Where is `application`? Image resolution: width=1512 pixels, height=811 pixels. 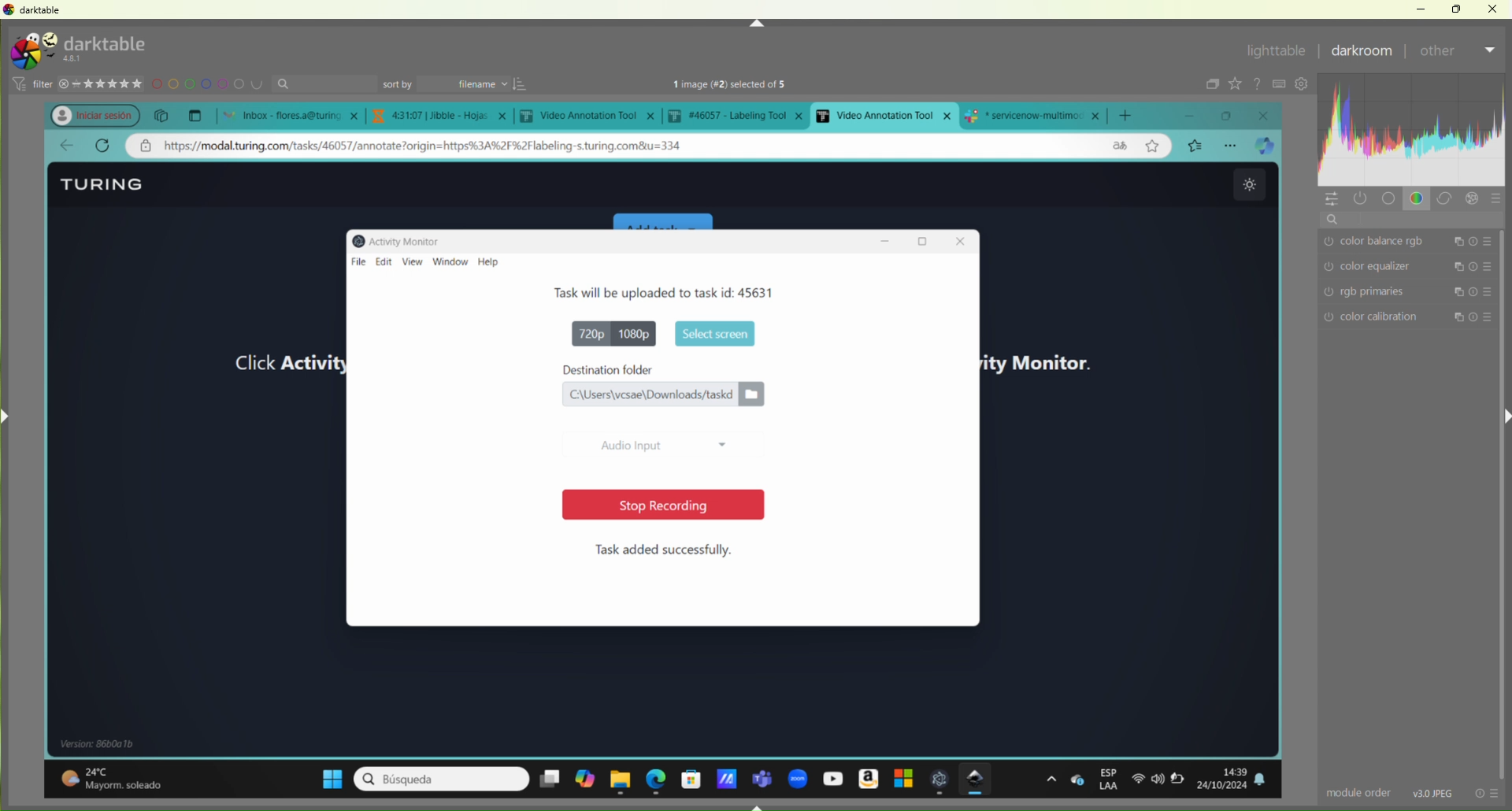 application is located at coordinates (725, 775).